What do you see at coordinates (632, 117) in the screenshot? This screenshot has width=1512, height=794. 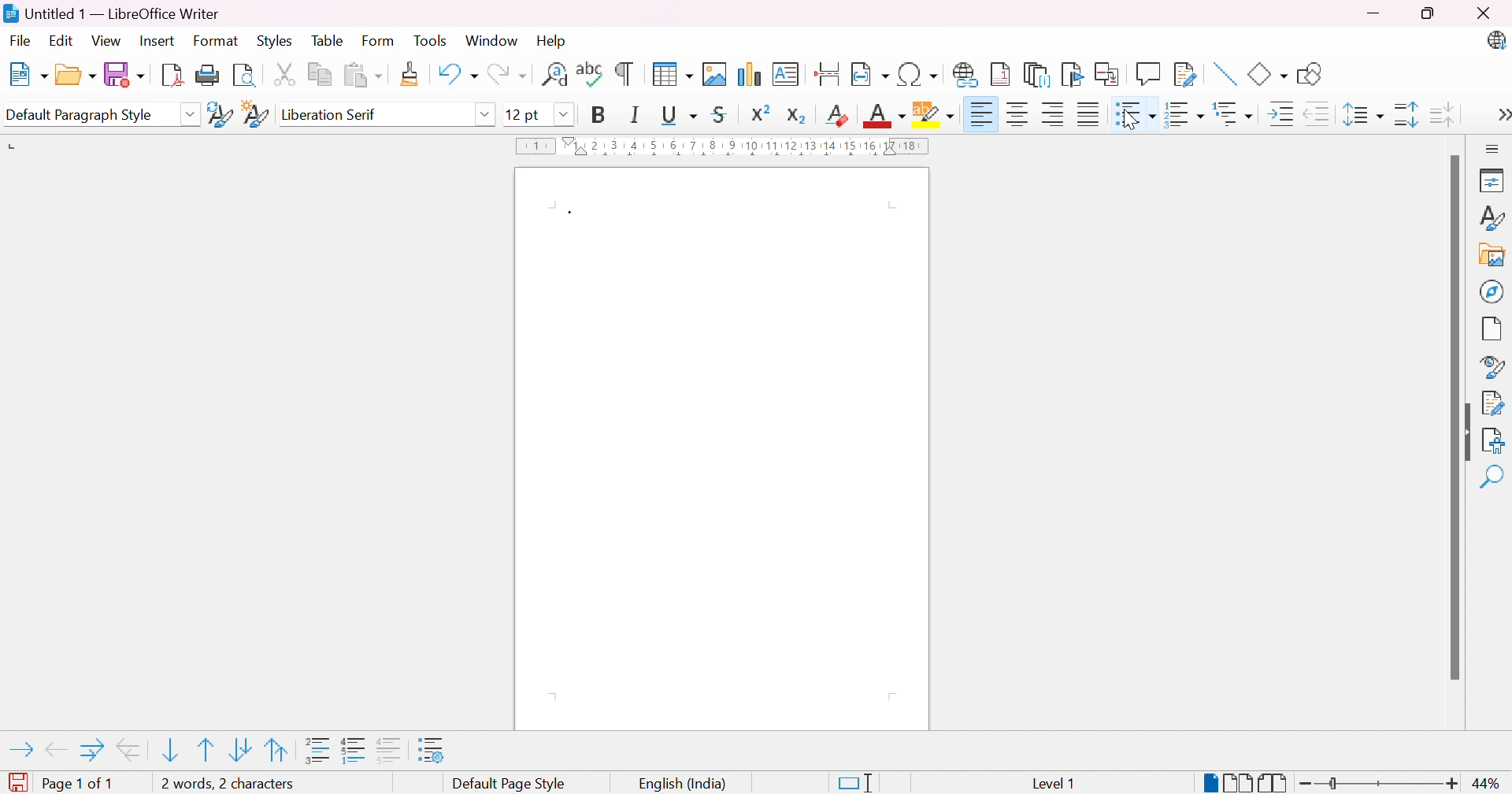 I see `Italic` at bounding box center [632, 117].